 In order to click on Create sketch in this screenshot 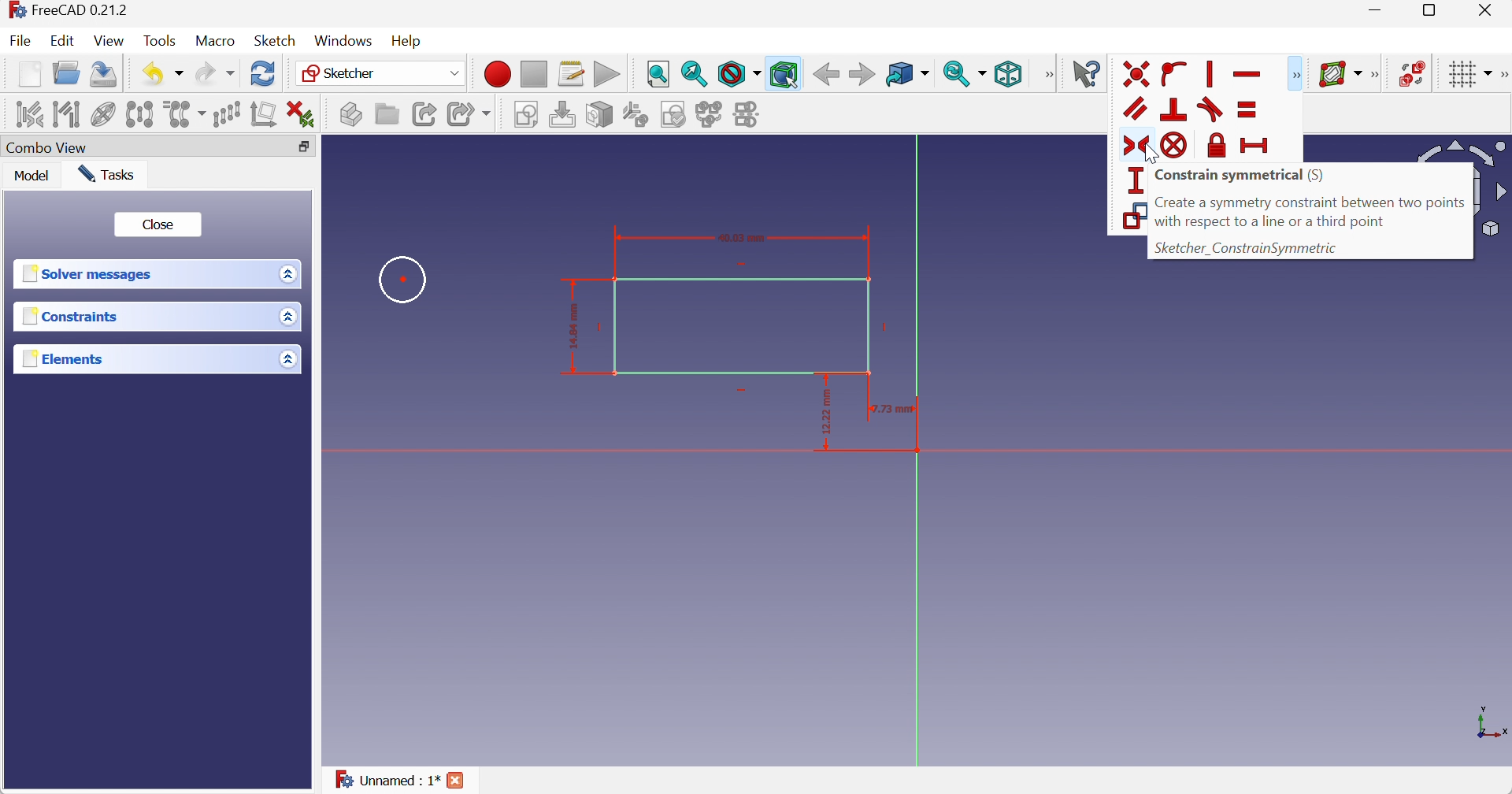, I will do `click(528, 116)`.